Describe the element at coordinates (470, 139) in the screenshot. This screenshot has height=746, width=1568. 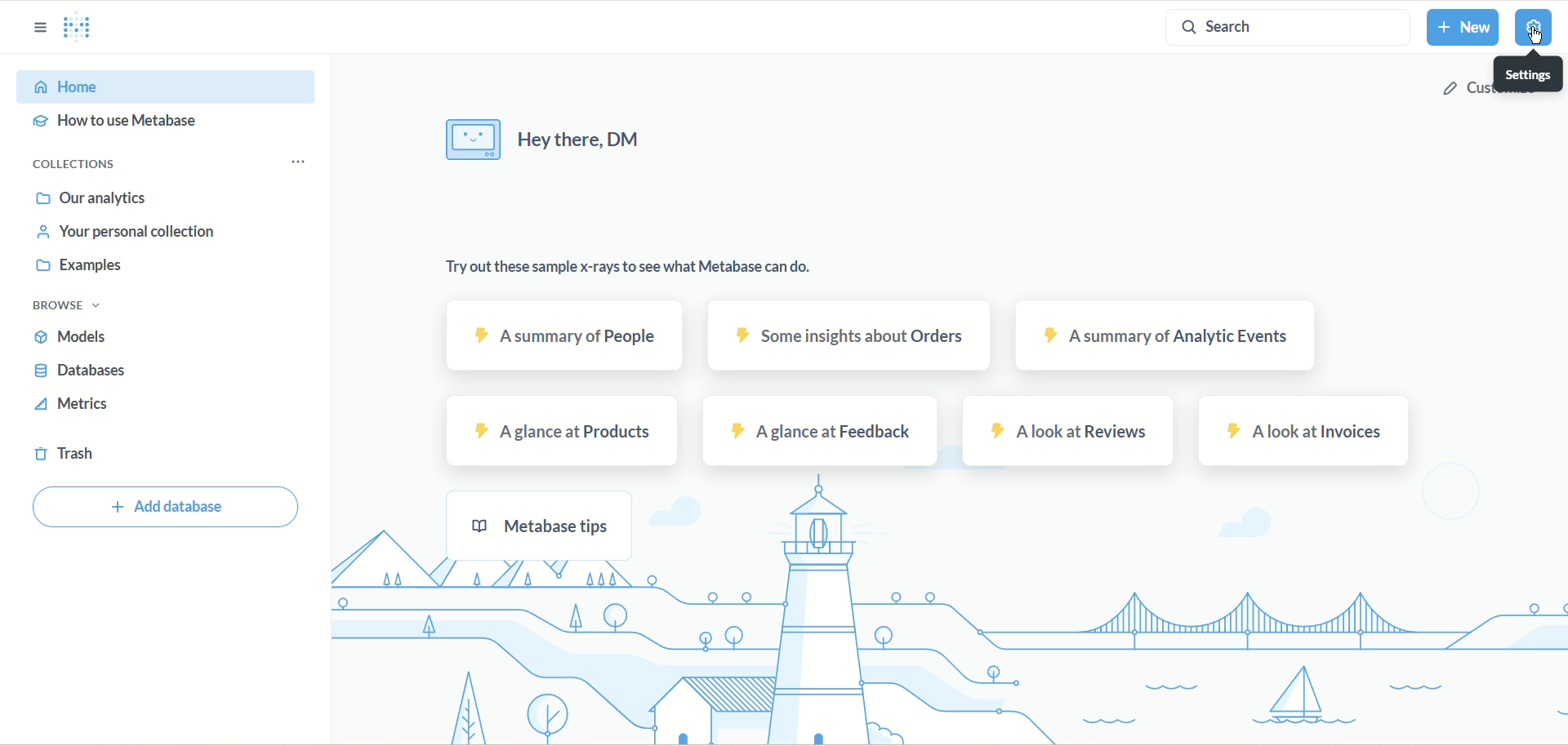
I see `Icon` at that location.